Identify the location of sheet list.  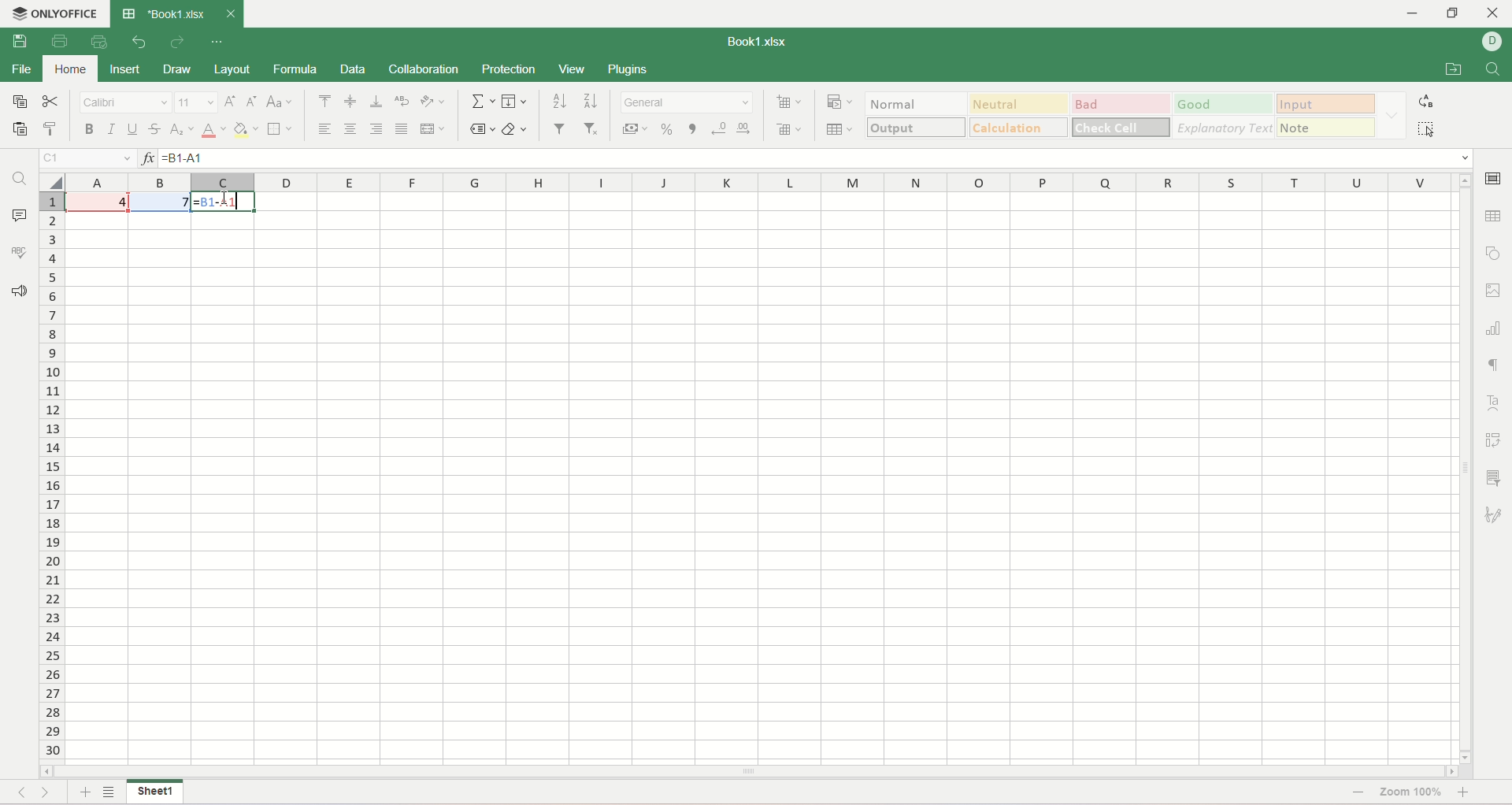
(109, 793).